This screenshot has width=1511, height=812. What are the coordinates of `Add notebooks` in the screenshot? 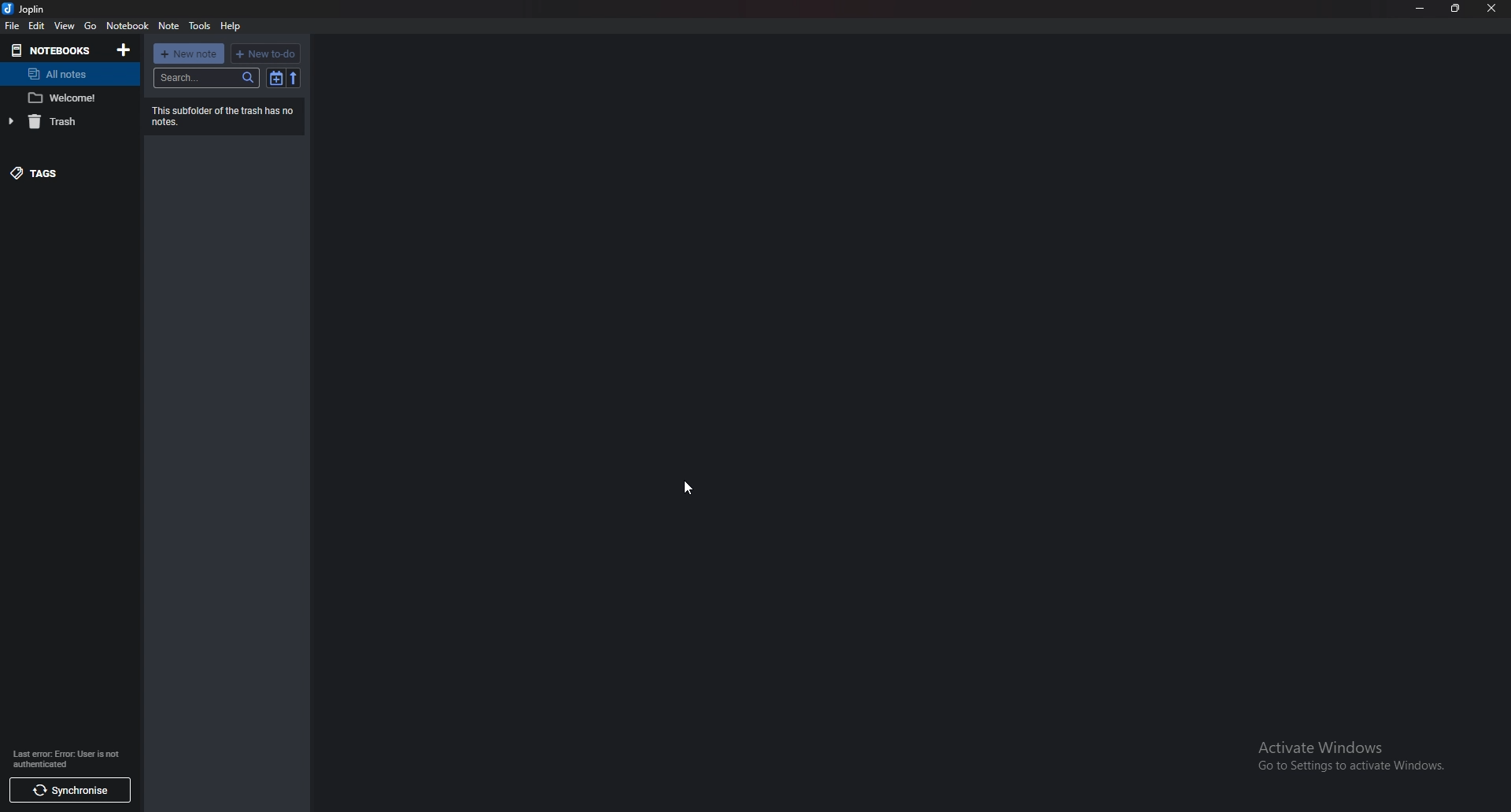 It's located at (123, 50).